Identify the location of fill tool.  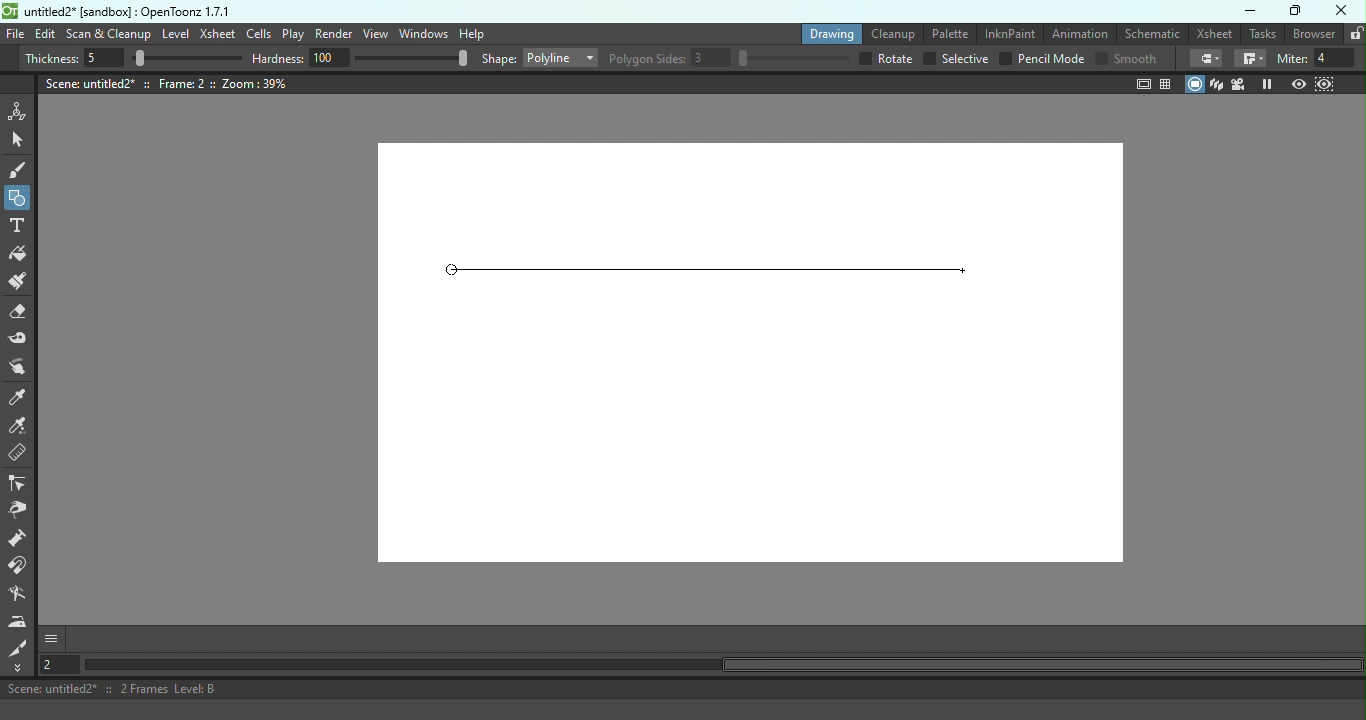
(1206, 59).